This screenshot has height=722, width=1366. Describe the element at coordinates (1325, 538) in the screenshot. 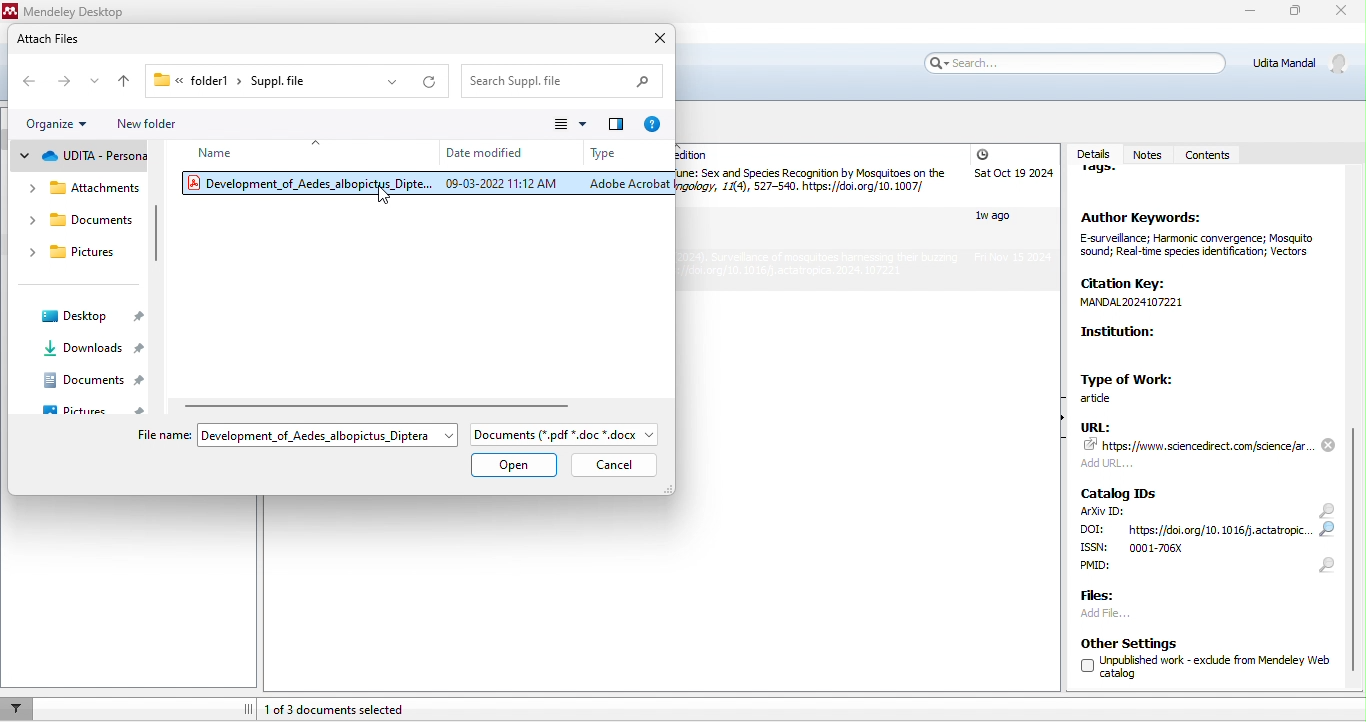

I see `search` at that location.